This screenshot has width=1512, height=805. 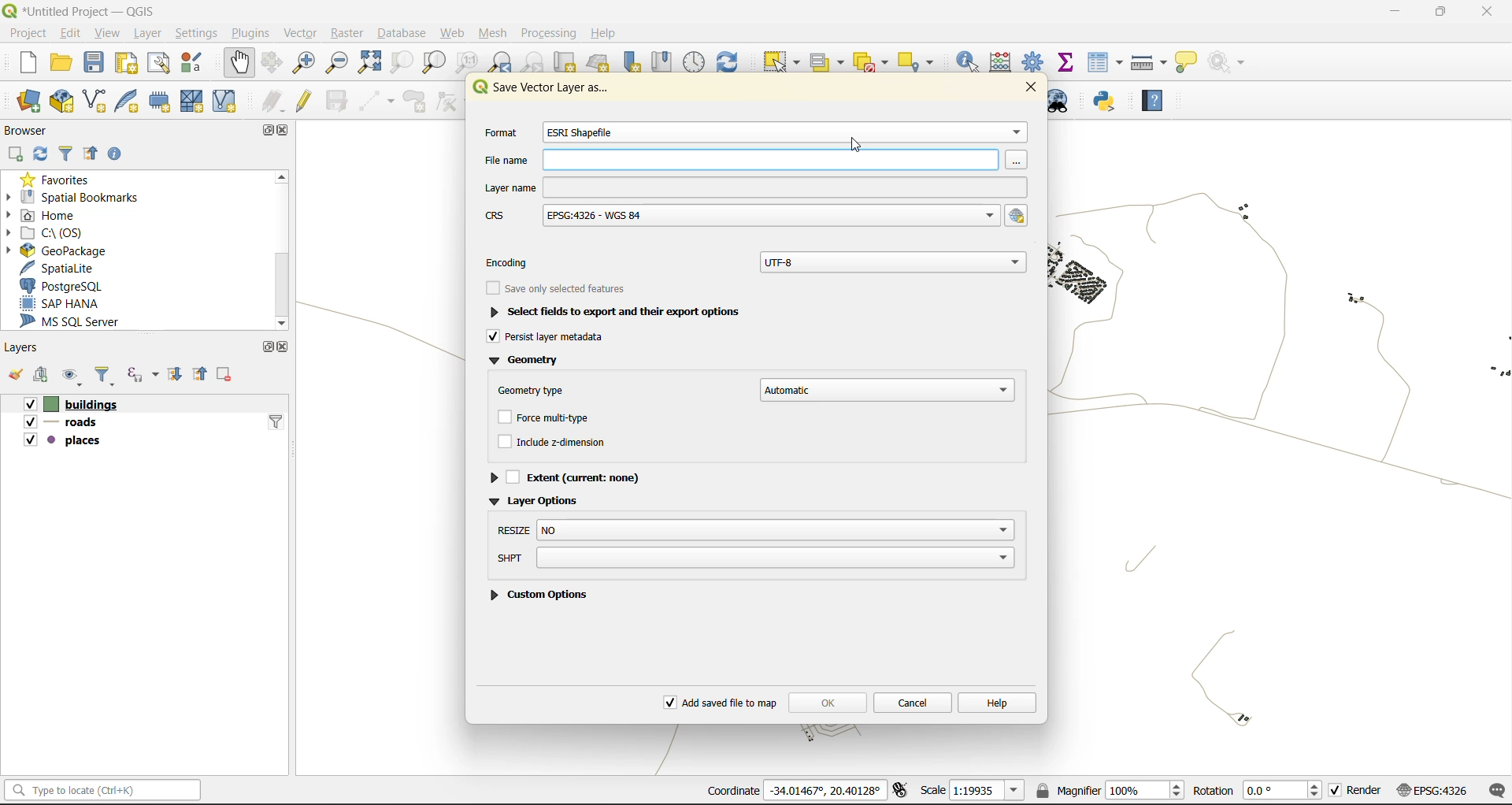 What do you see at coordinates (1390, 15) in the screenshot?
I see `minimize` at bounding box center [1390, 15].